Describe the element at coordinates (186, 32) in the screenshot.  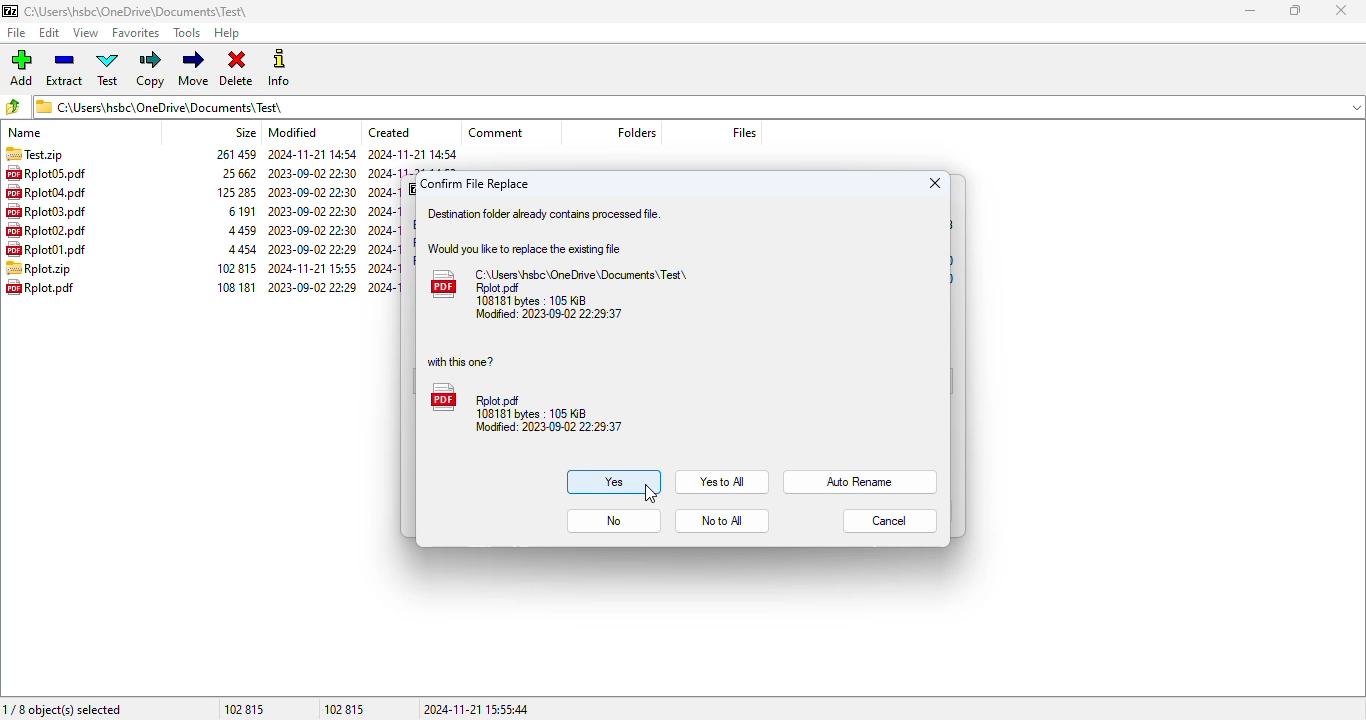
I see `tools` at that location.